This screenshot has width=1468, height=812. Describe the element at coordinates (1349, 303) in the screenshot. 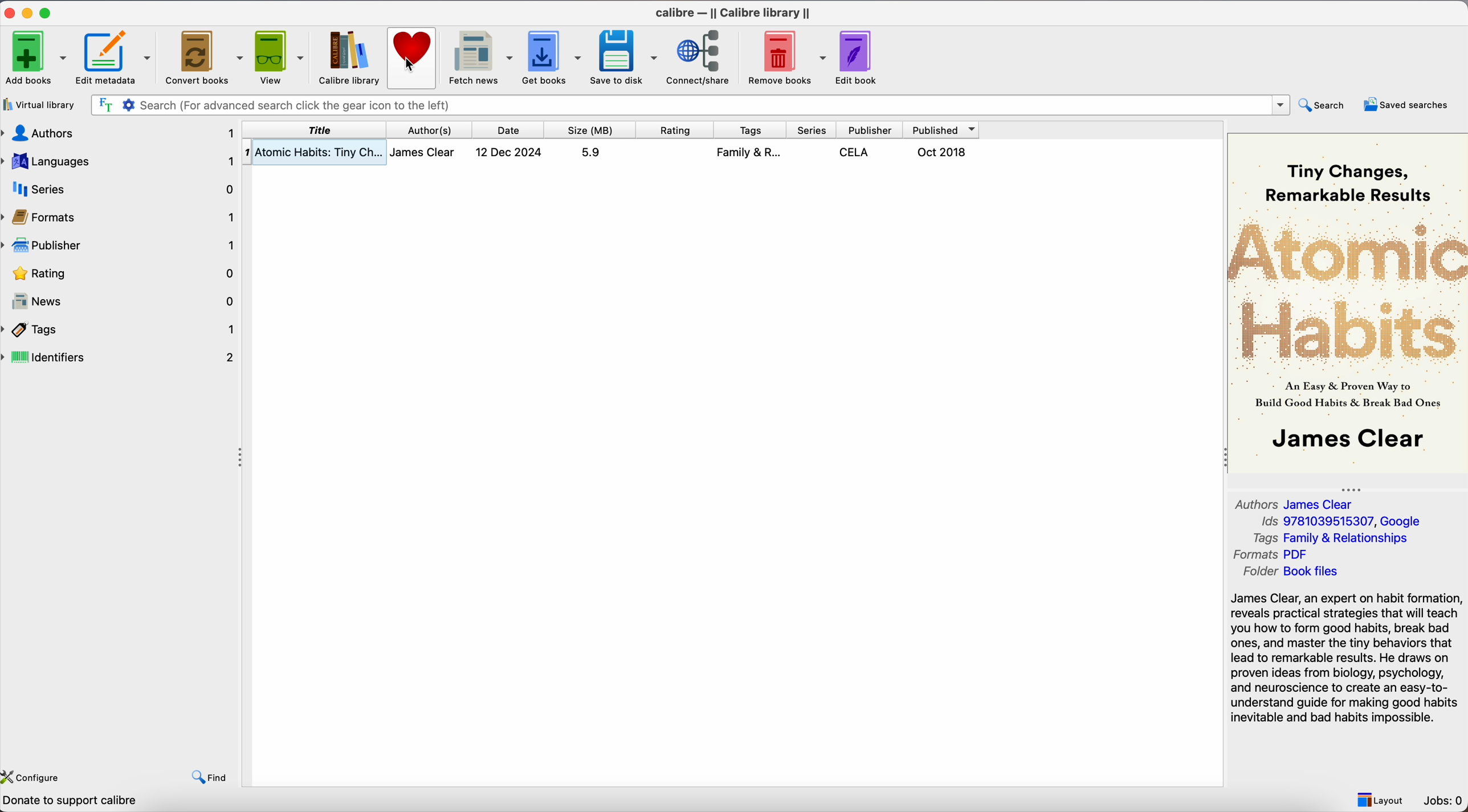

I see `book cover preview` at that location.